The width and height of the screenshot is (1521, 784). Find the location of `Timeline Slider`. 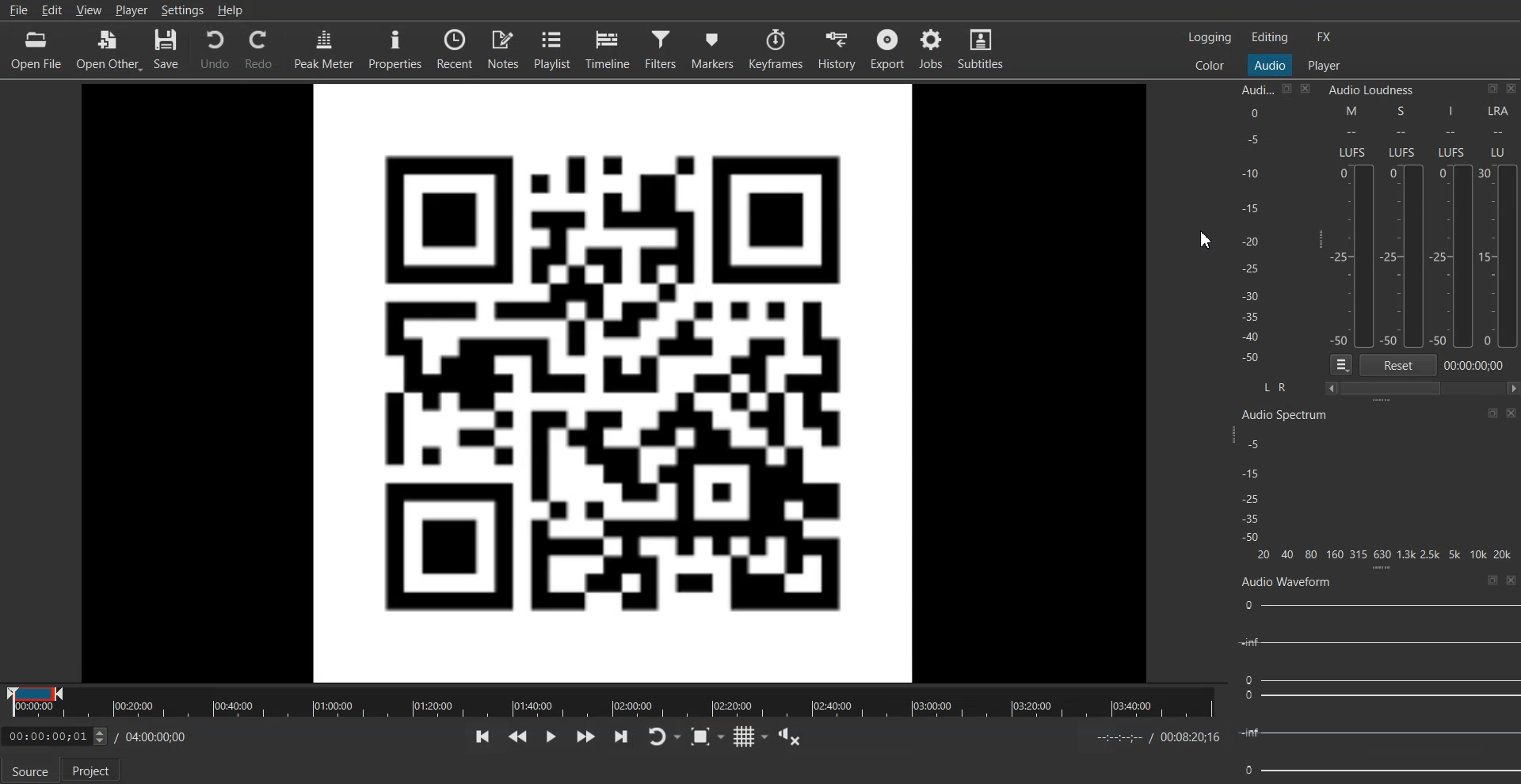

Timeline Slider is located at coordinates (612, 702).